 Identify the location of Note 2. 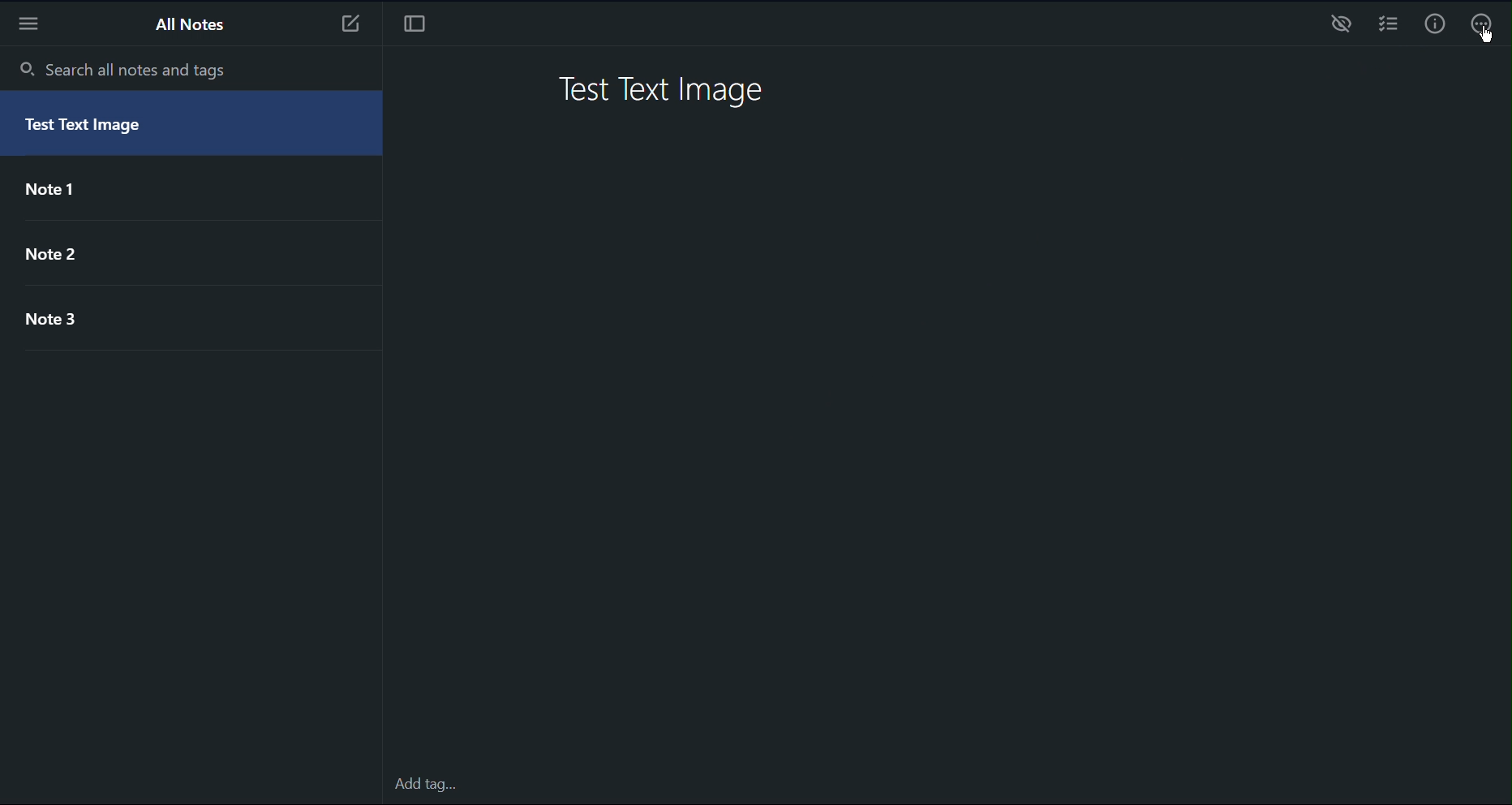
(56, 256).